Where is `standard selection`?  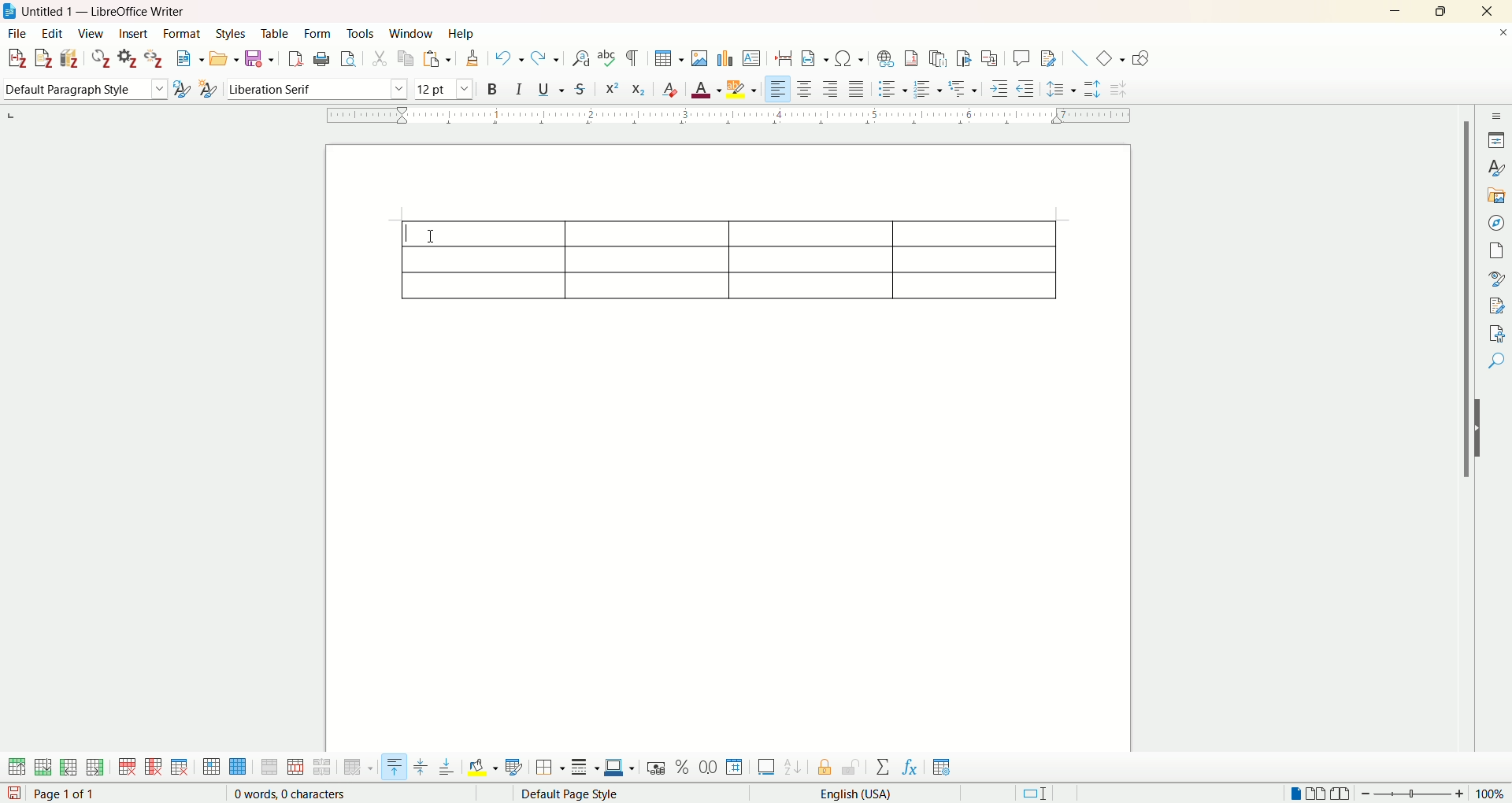
standard selection is located at coordinates (1046, 792).